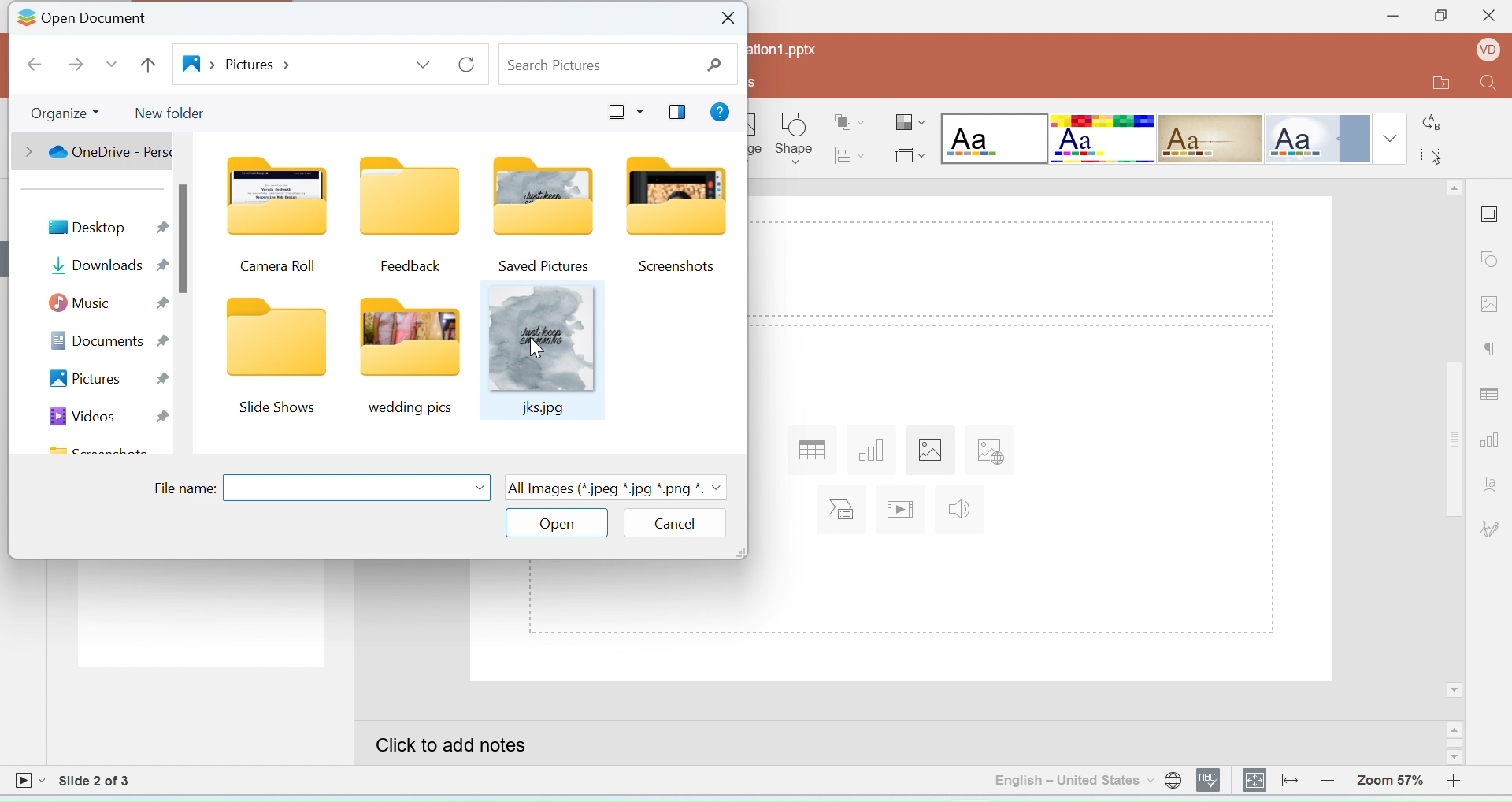  I want to click on pictures, so click(105, 380).